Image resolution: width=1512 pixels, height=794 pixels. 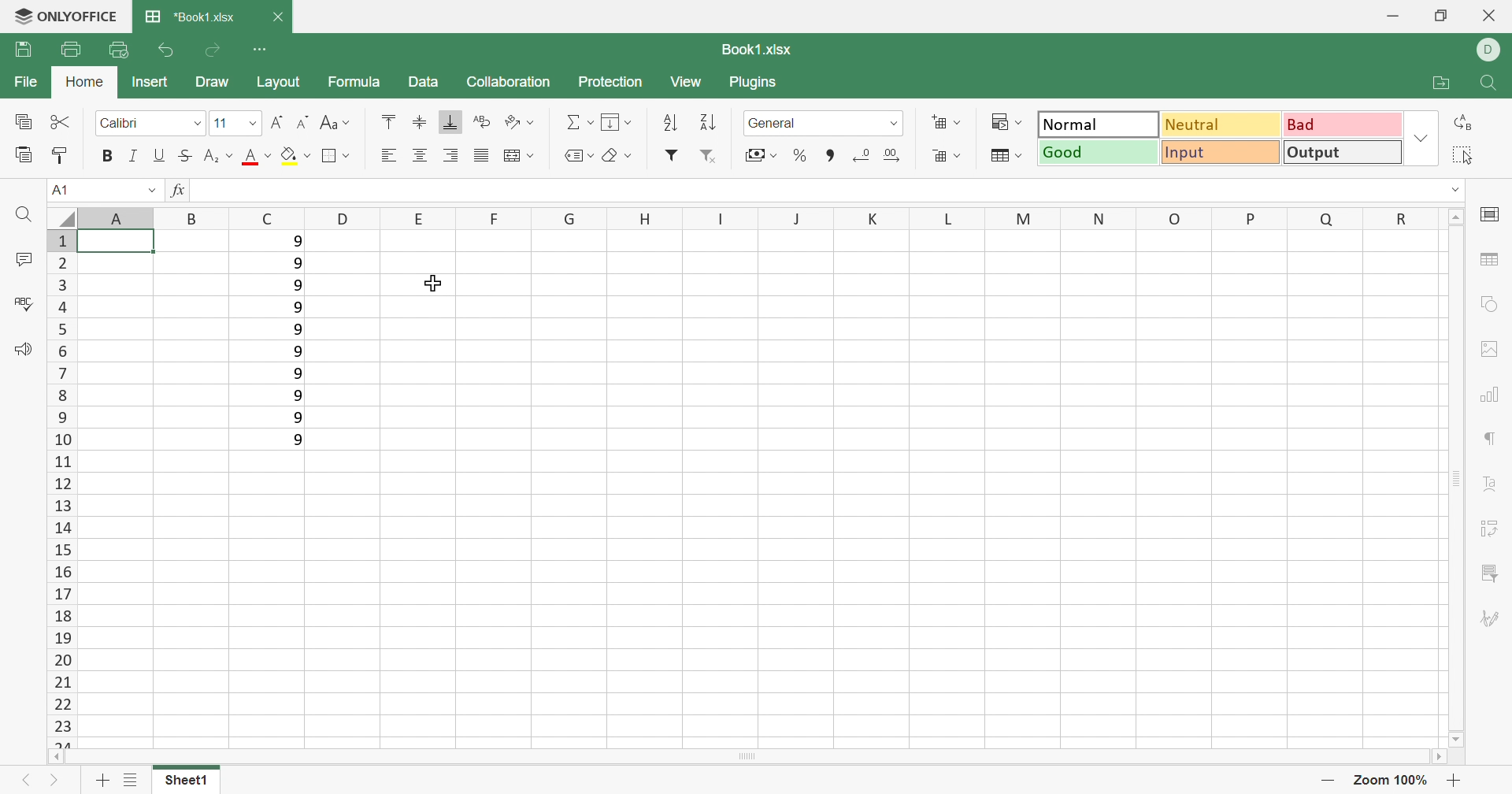 What do you see at coordinates (772, 123) in the screenshot?
I see `General` at bounding box center [772, 123].